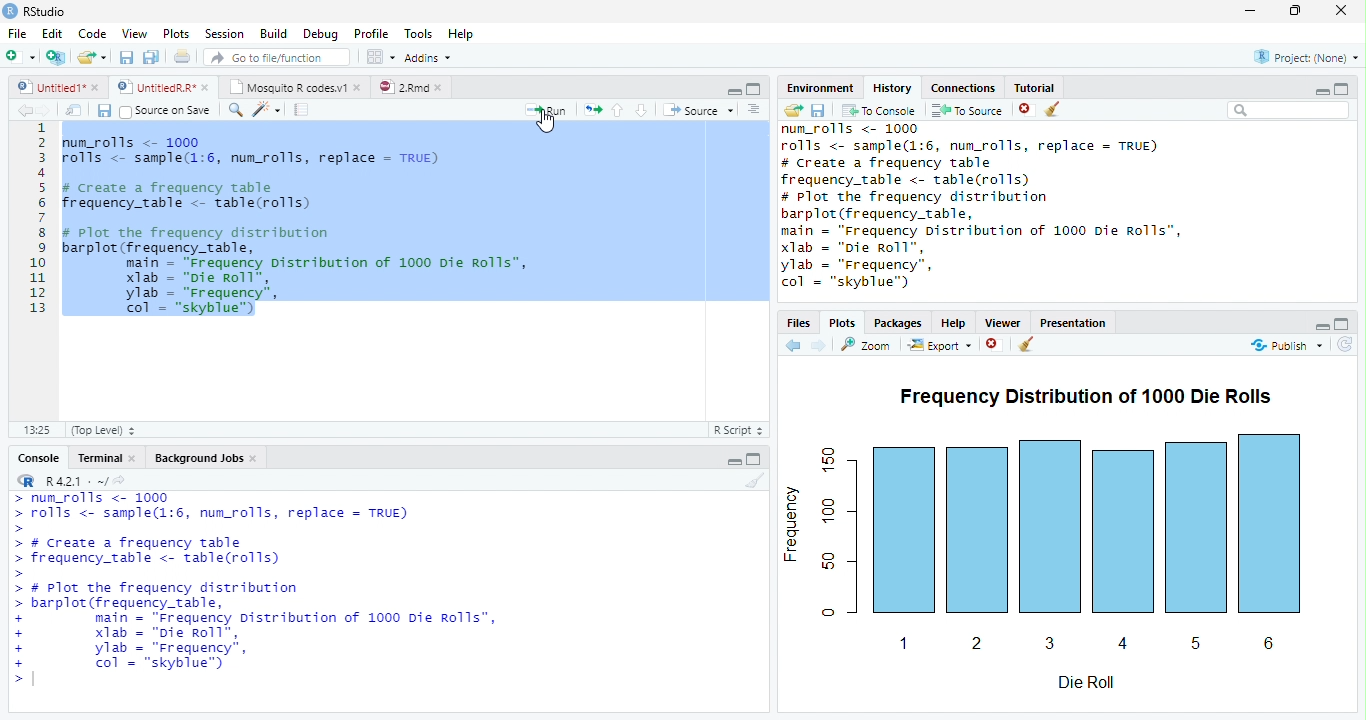 This screenshot has height=720, width=1366. I want to click on ©) 28md, so click(410, 87).